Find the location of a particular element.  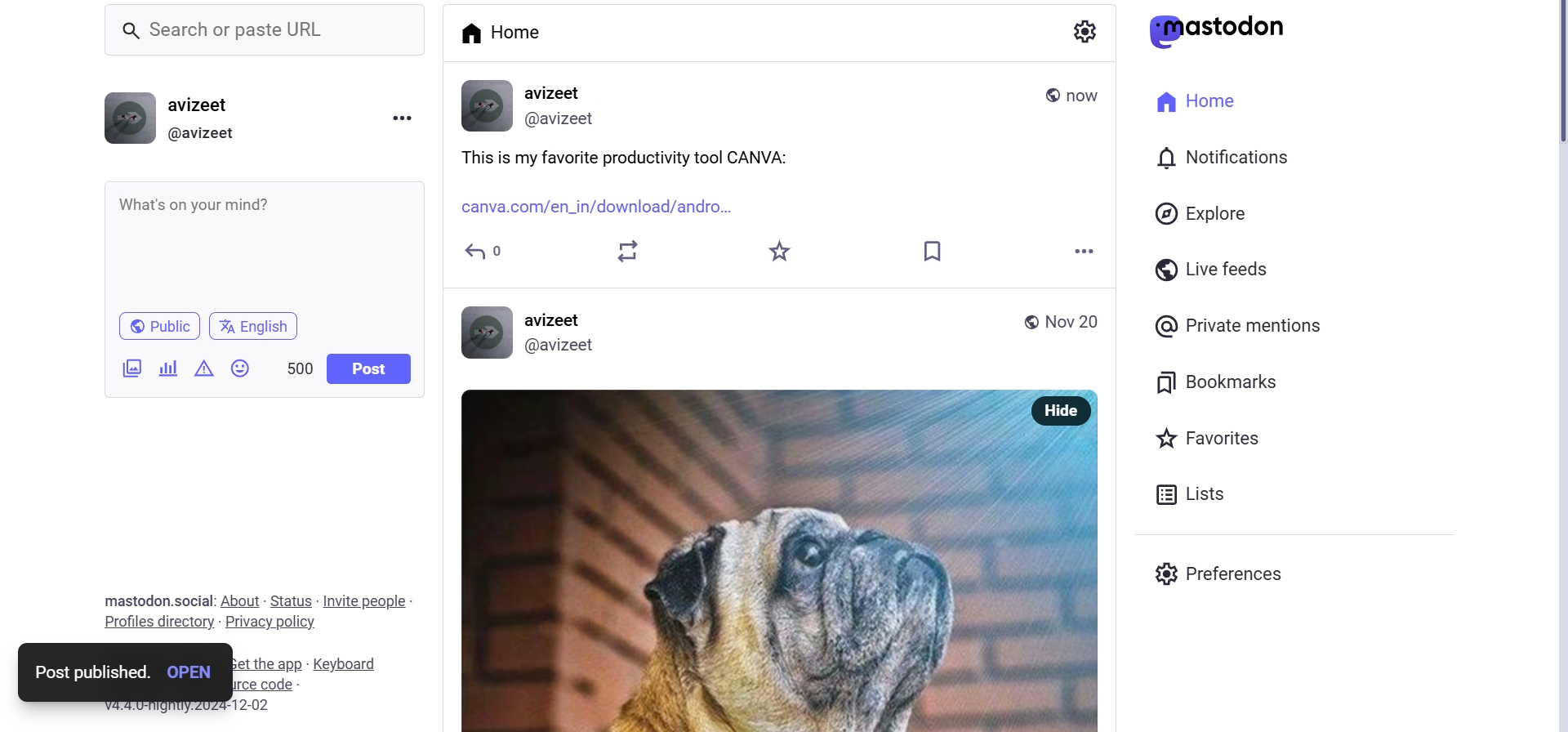

Search or paste URL is located at coordinates (273, 30).